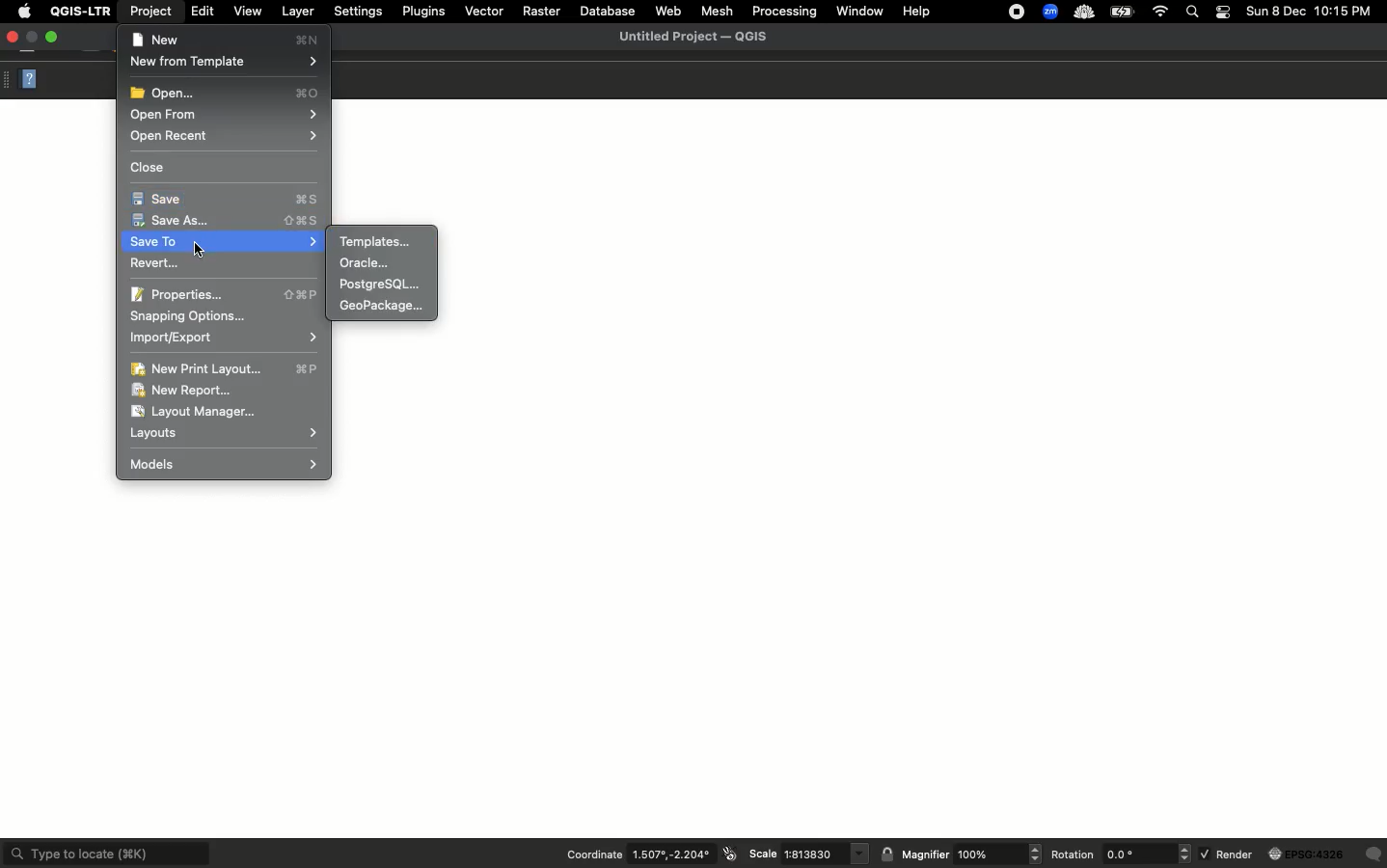  I want to click on Vector, so click(482, 13).